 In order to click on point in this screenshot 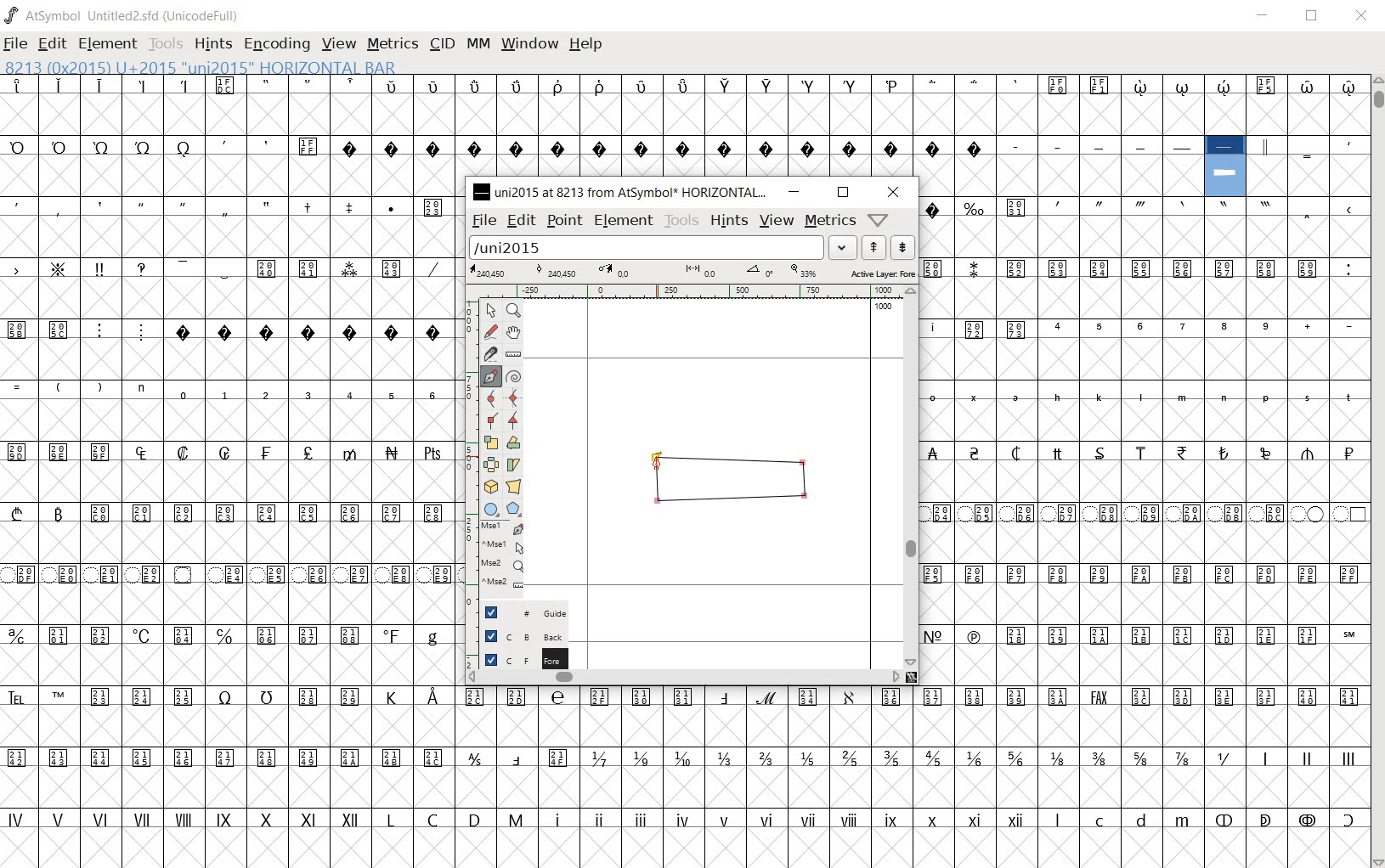, I will do `click(566, 223)`.